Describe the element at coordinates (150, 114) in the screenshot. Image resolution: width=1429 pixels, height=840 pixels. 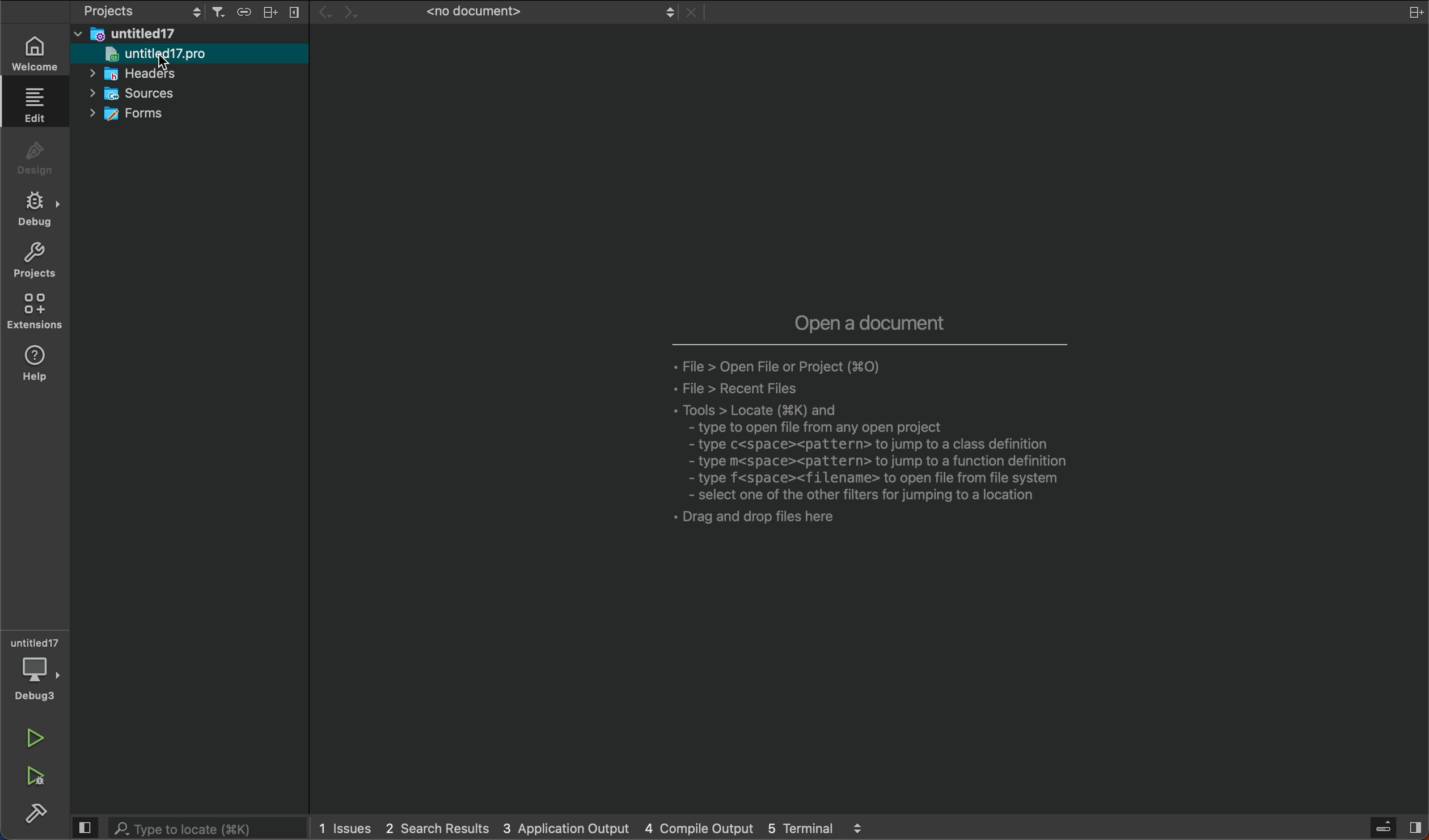
I see `forms` at that location.